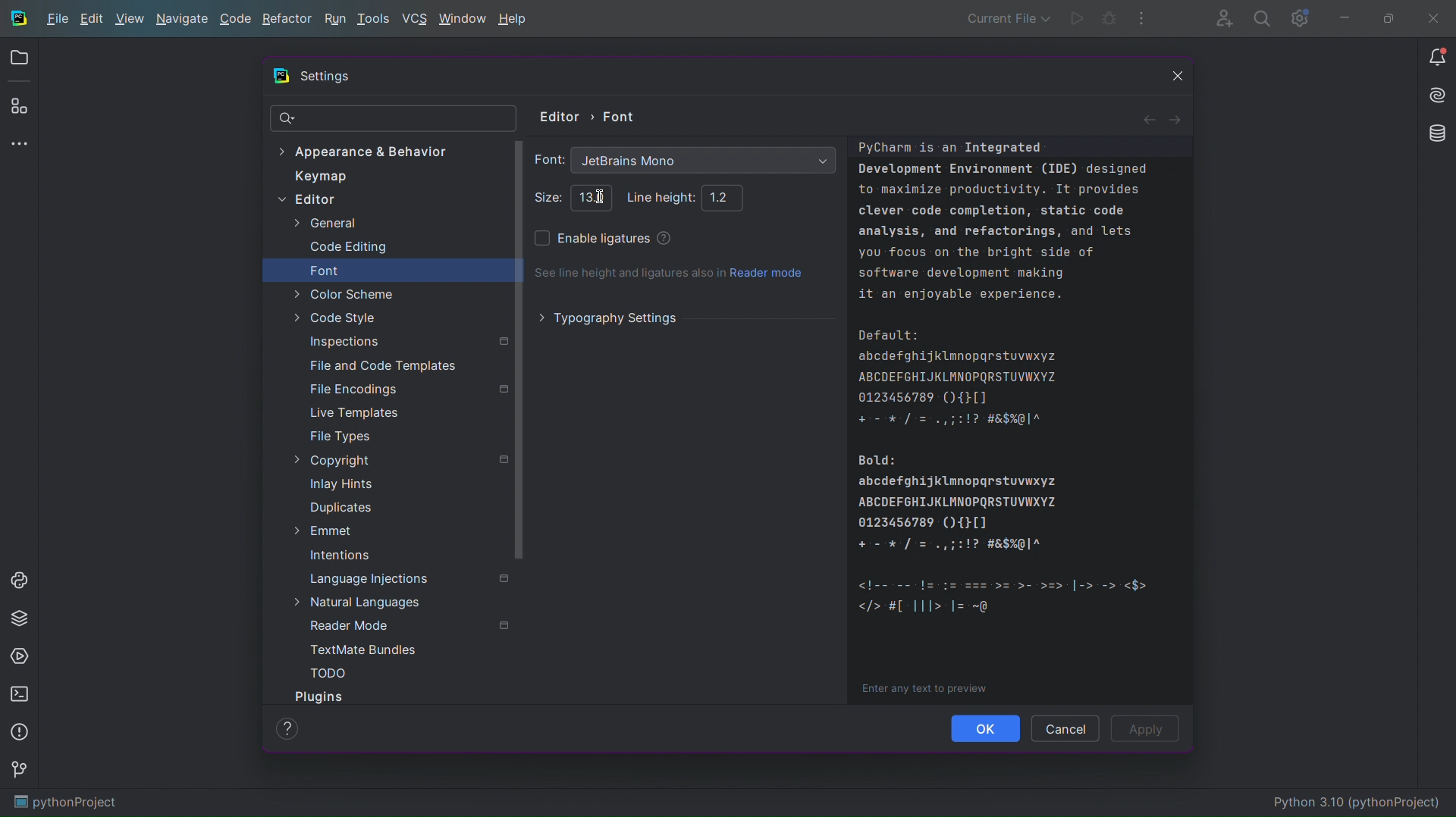 Image resolution: width=1456 pixels, height=817 pixels. I want to click on Plugins, so click(322, 696).